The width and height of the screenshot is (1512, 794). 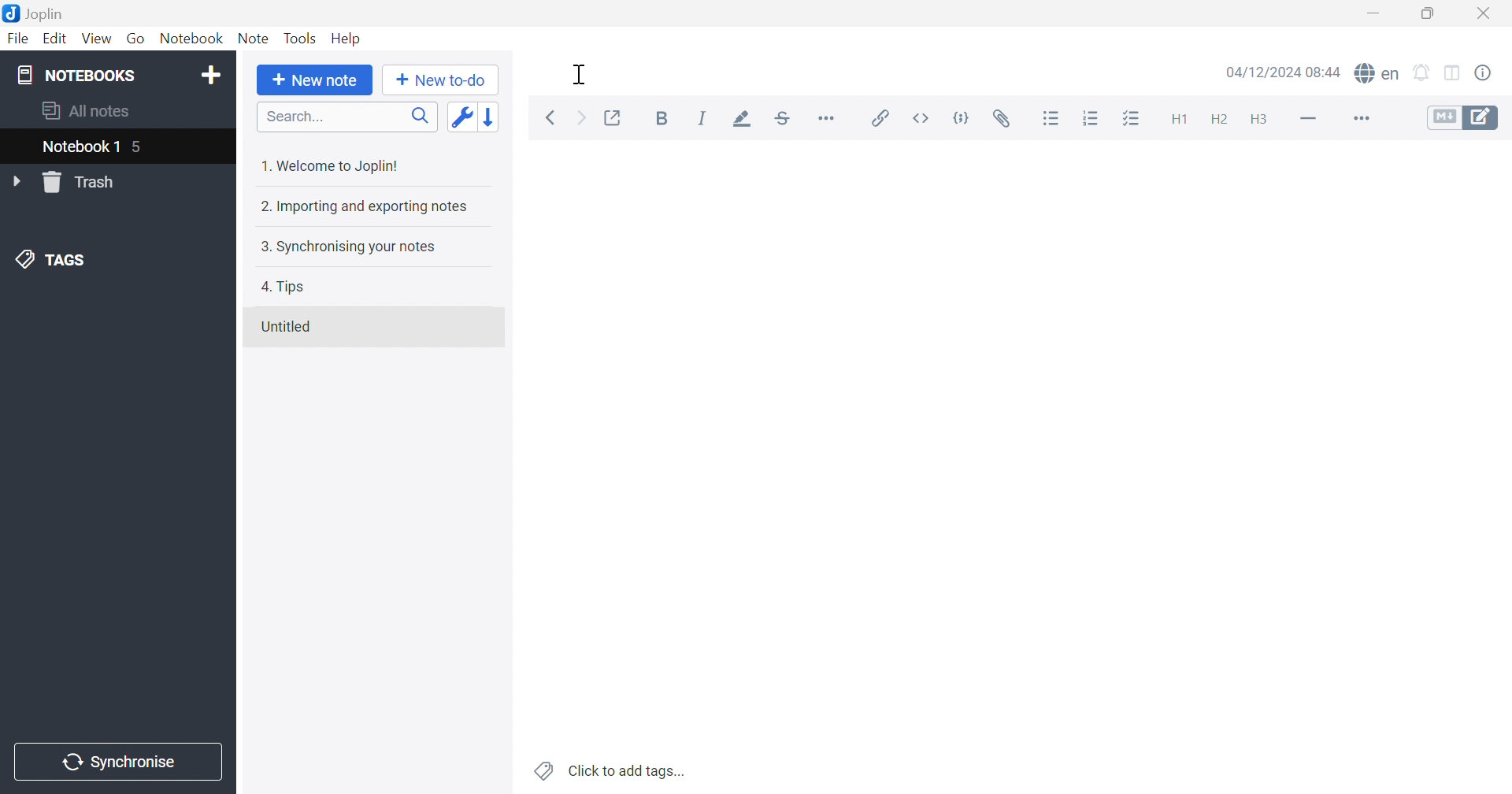 I want to click on Cursor, so click(x=582, y=76).